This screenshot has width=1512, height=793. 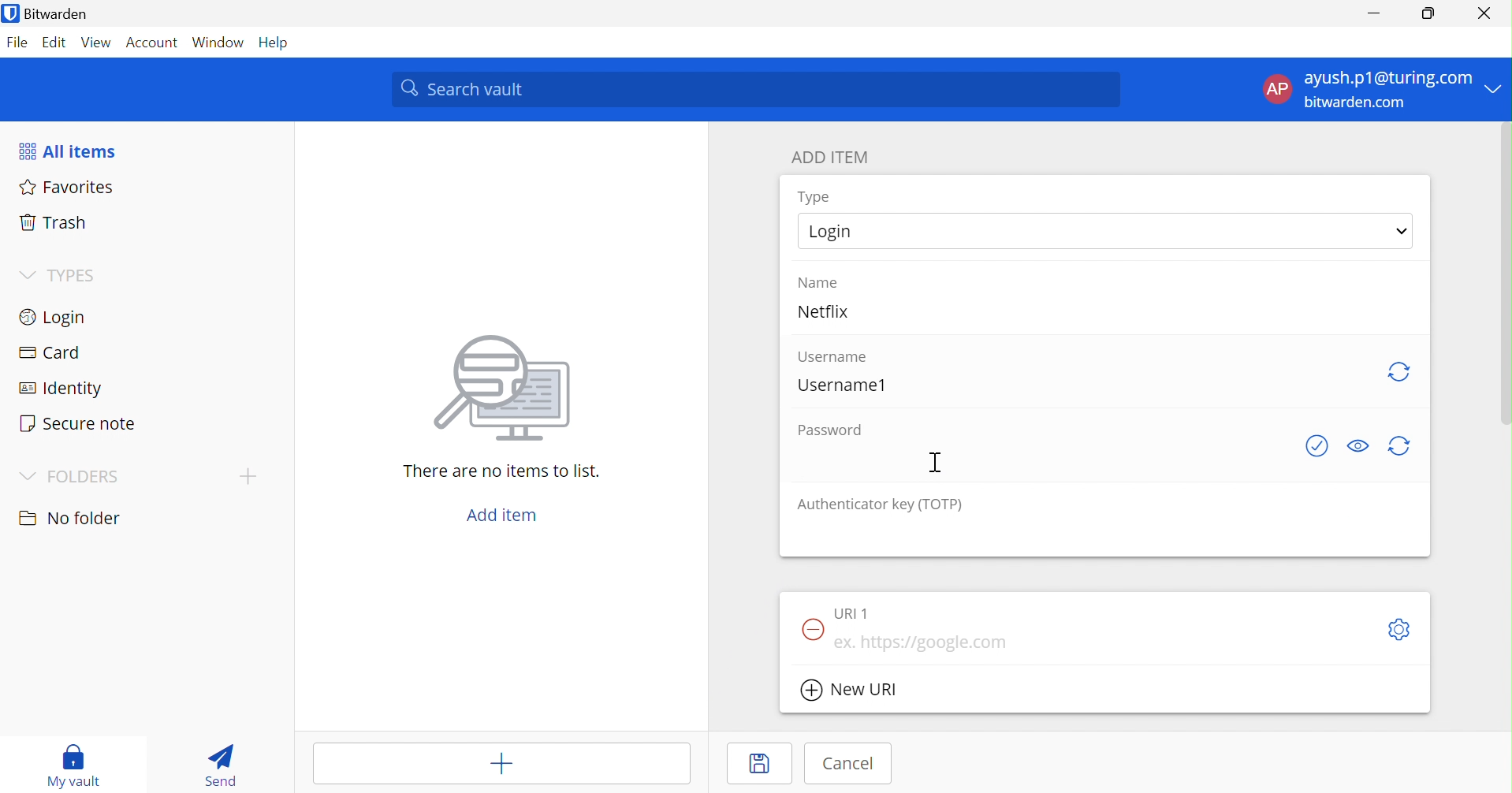 What do you see at coordinates (849, 764) in the screenshot?
I see `Cancel` at bounding box center [849, 764].